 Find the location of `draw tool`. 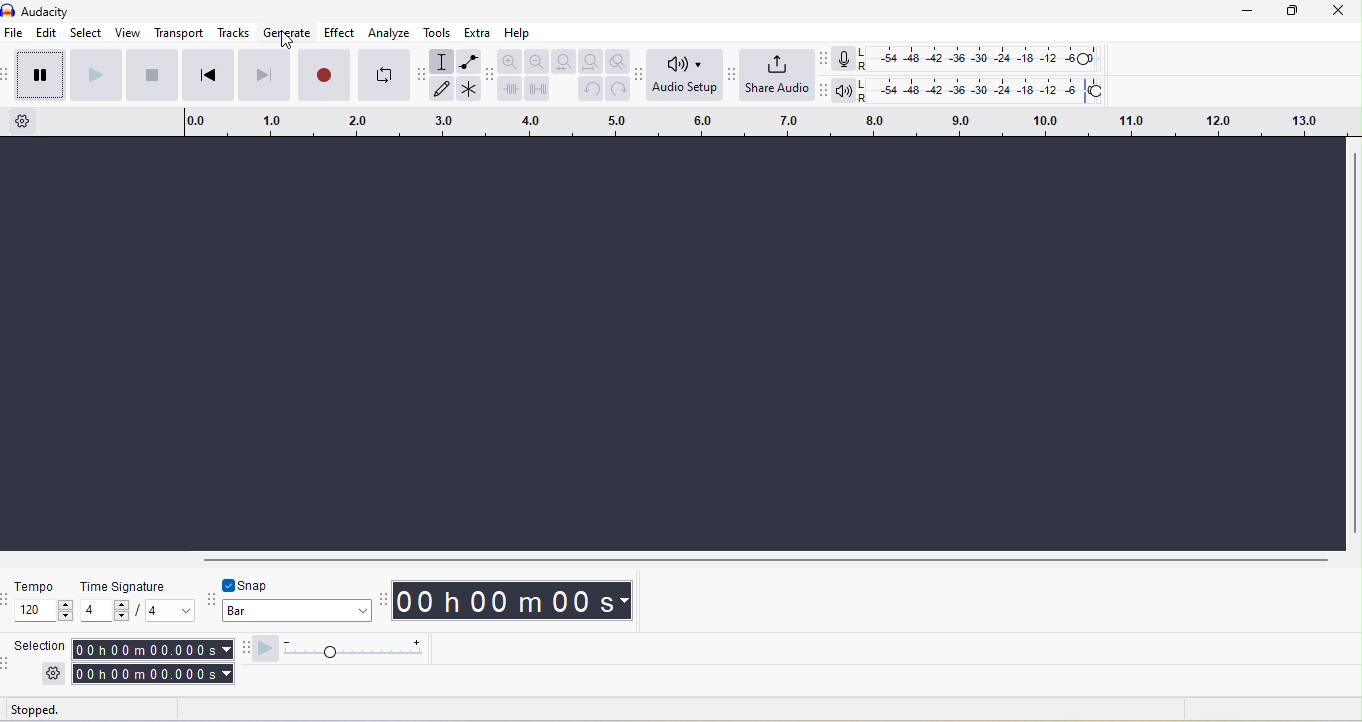

draw tool is located at coordinates (442, 89).